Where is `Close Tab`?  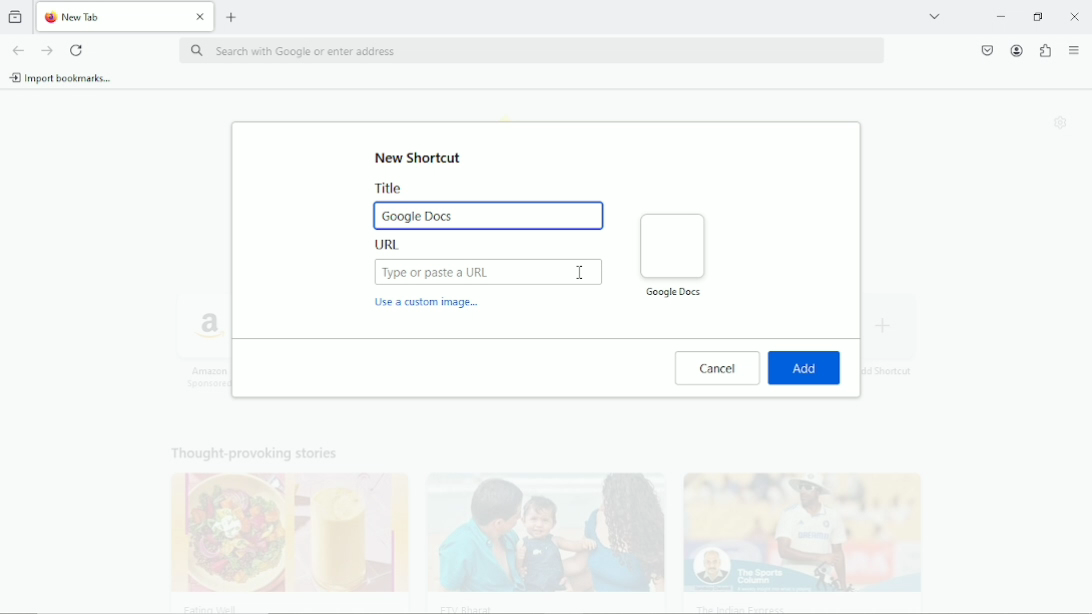
Close Tab is located at coordinates (201, 17).